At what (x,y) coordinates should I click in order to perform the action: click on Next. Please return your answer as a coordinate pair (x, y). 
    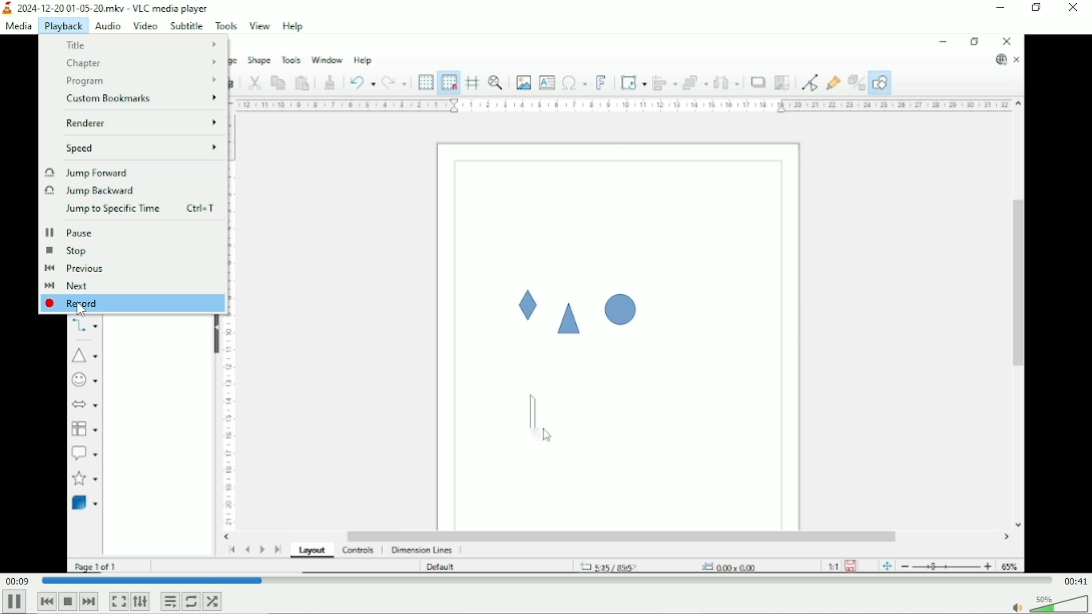
    Looking at the image, I should click on (89, 601).